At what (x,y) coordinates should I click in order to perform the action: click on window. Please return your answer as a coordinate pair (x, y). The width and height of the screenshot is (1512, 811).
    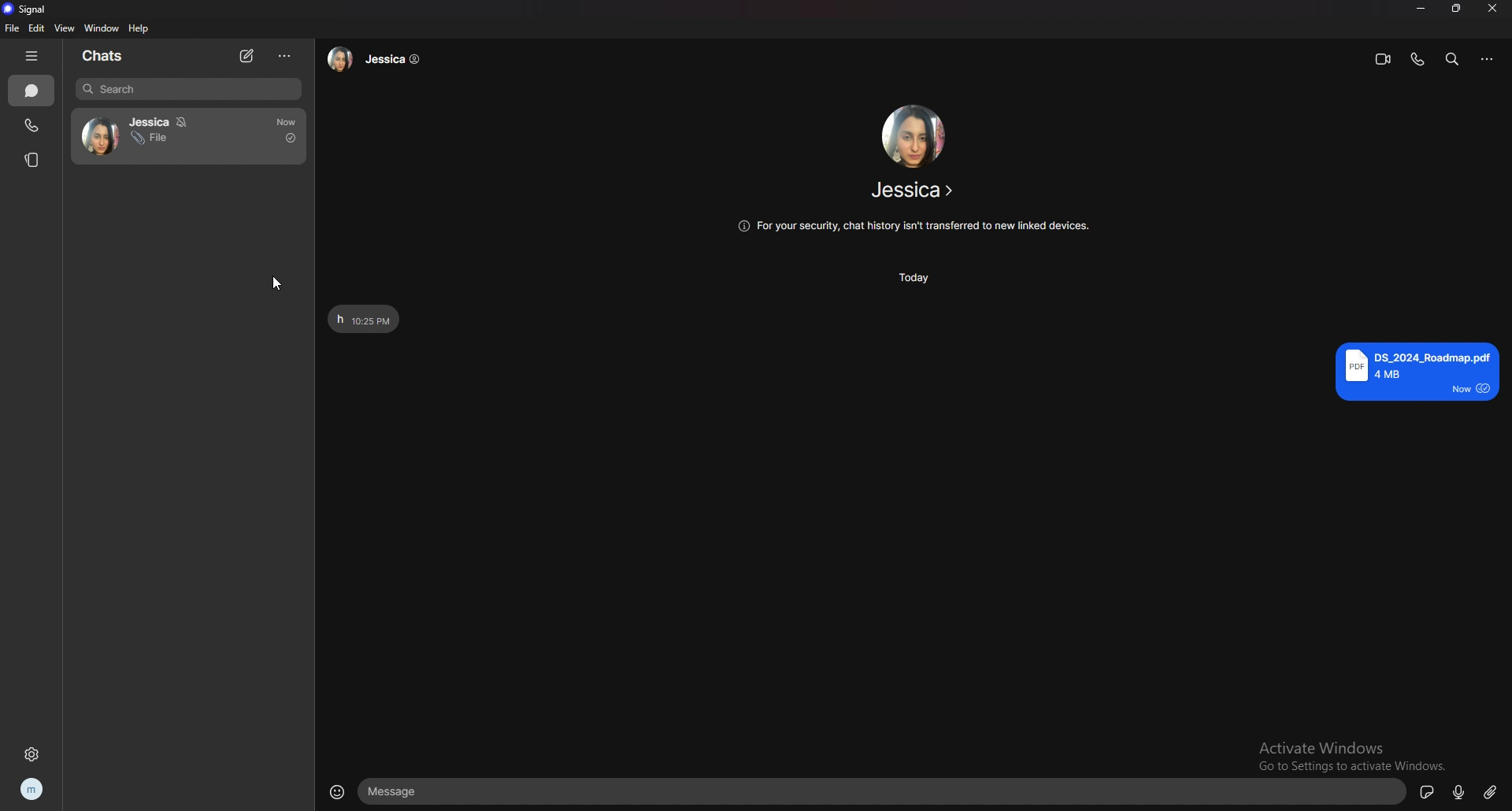
    Looking at the image, I should click on (102, 28).